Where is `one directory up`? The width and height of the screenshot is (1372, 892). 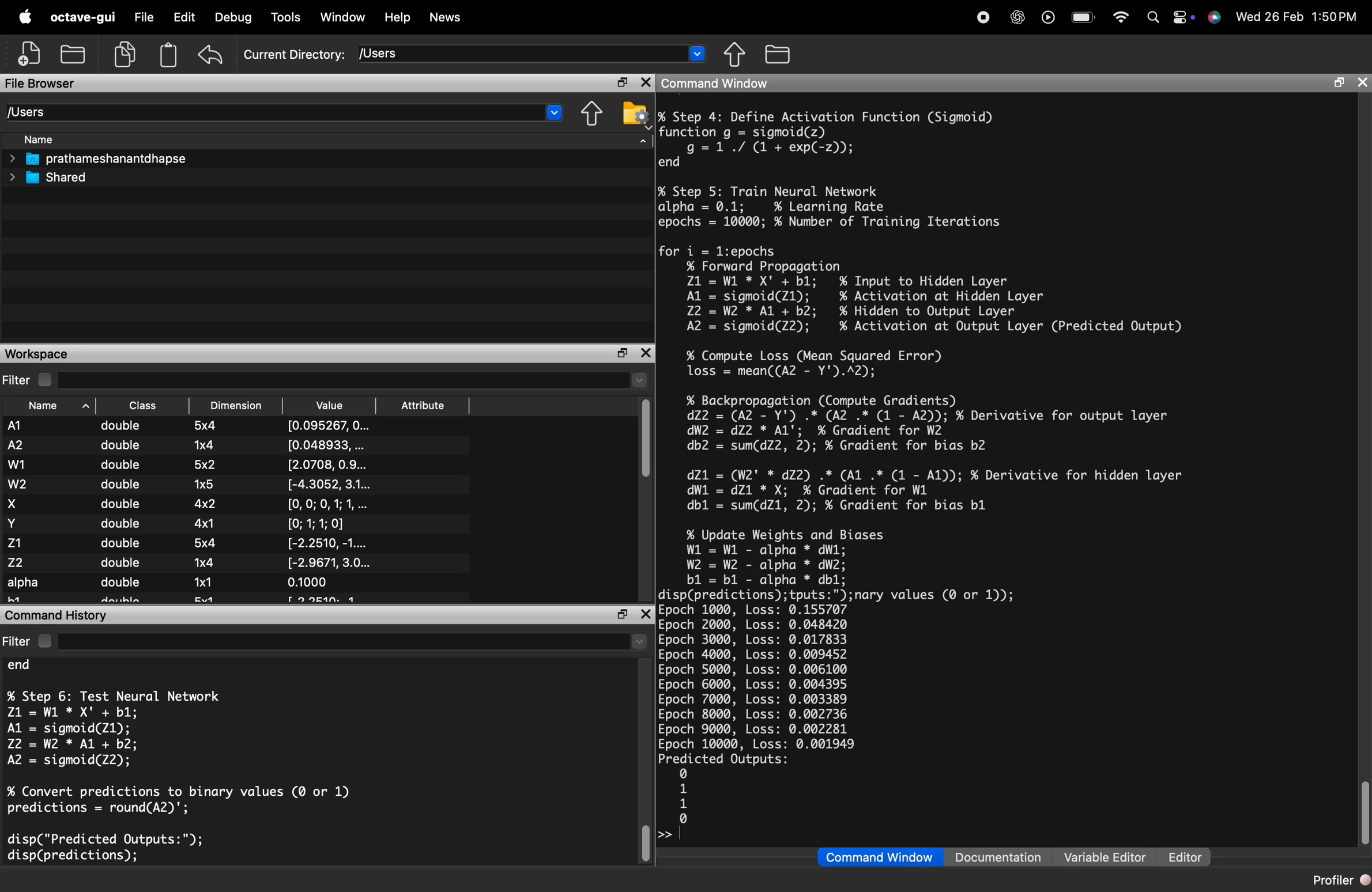 one directory up is located at coordinates (594, 113).